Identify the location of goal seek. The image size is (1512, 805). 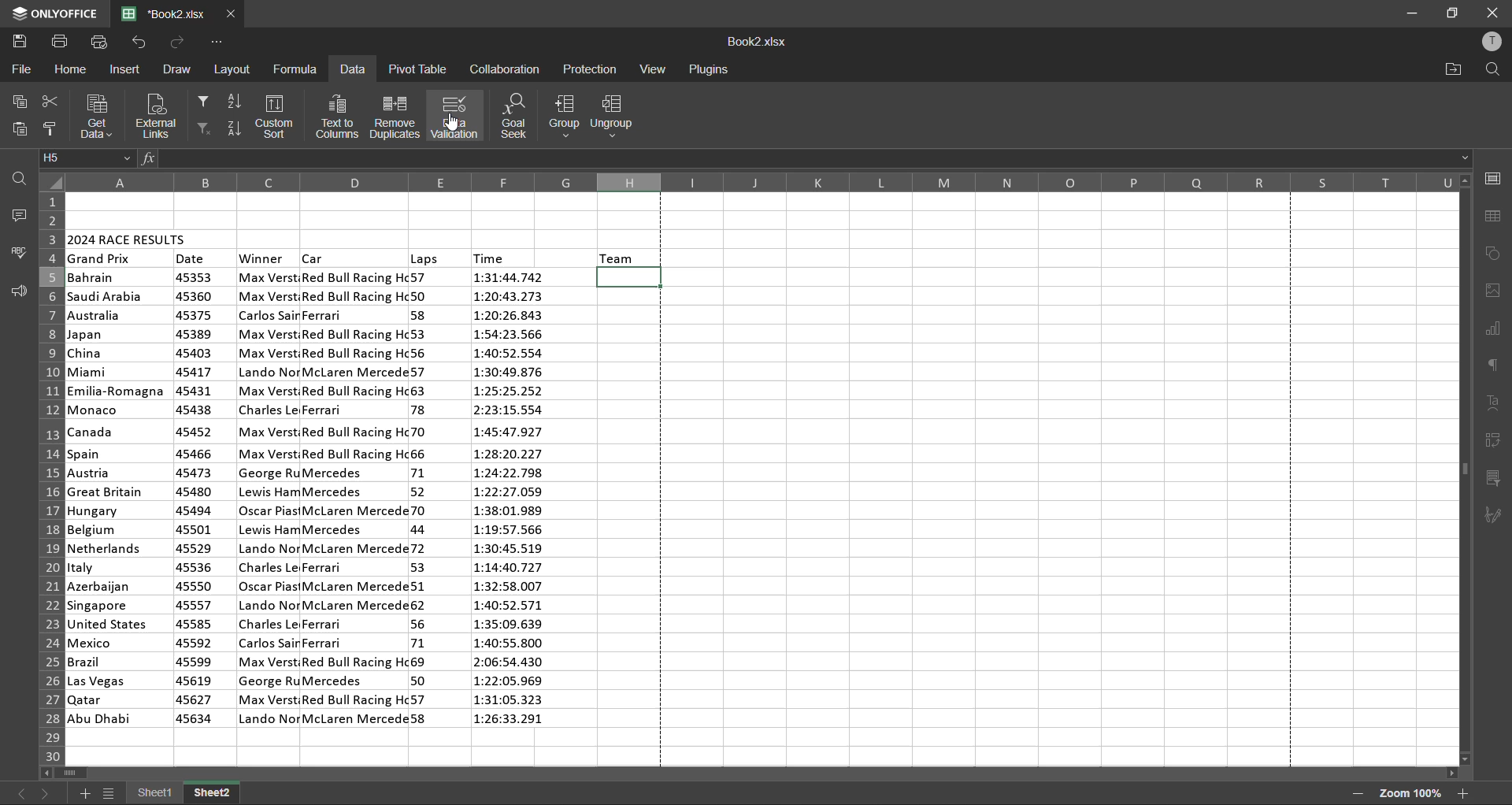
(518, 117).